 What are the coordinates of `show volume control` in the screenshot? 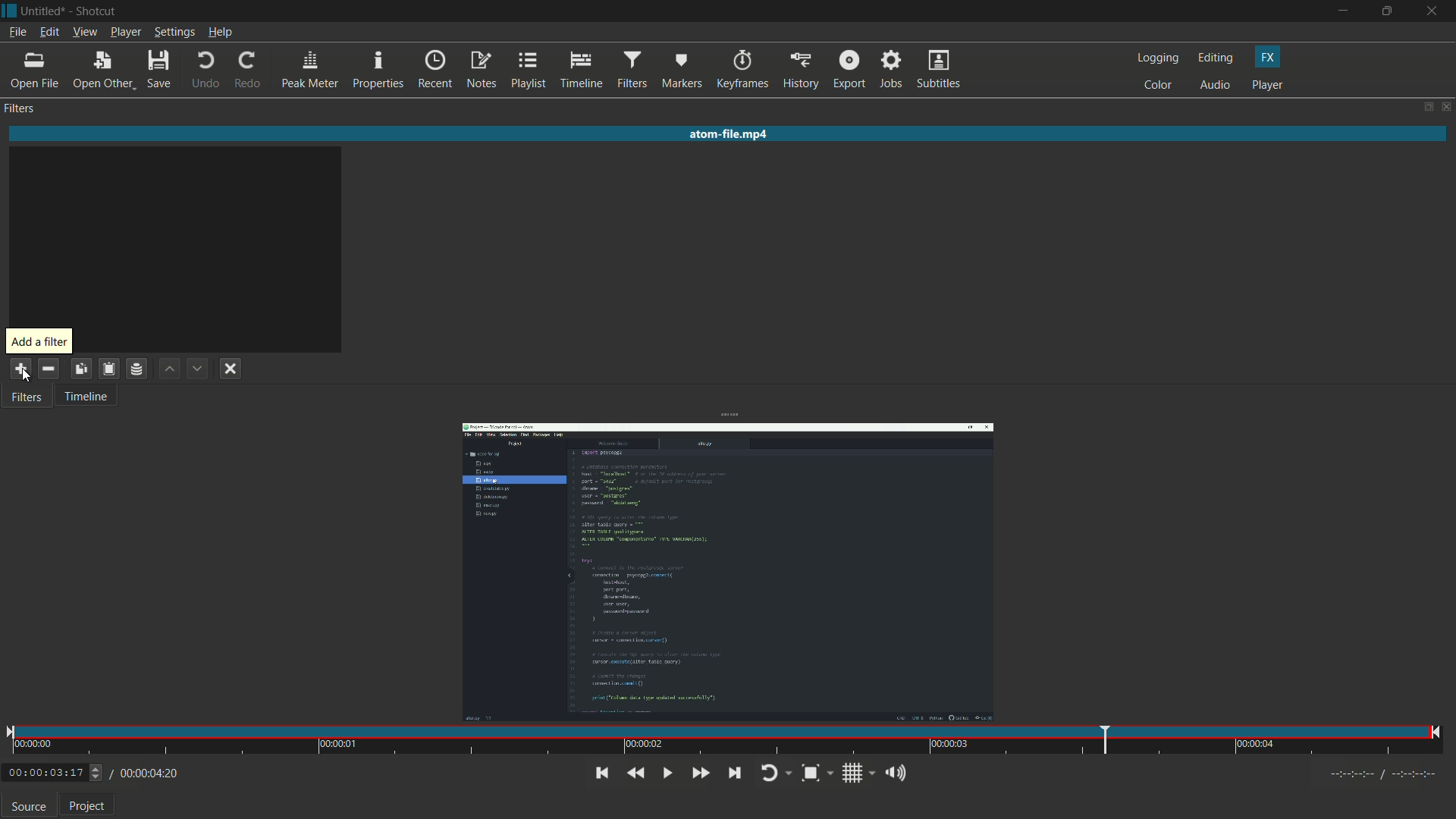 It's located at (899, 772).